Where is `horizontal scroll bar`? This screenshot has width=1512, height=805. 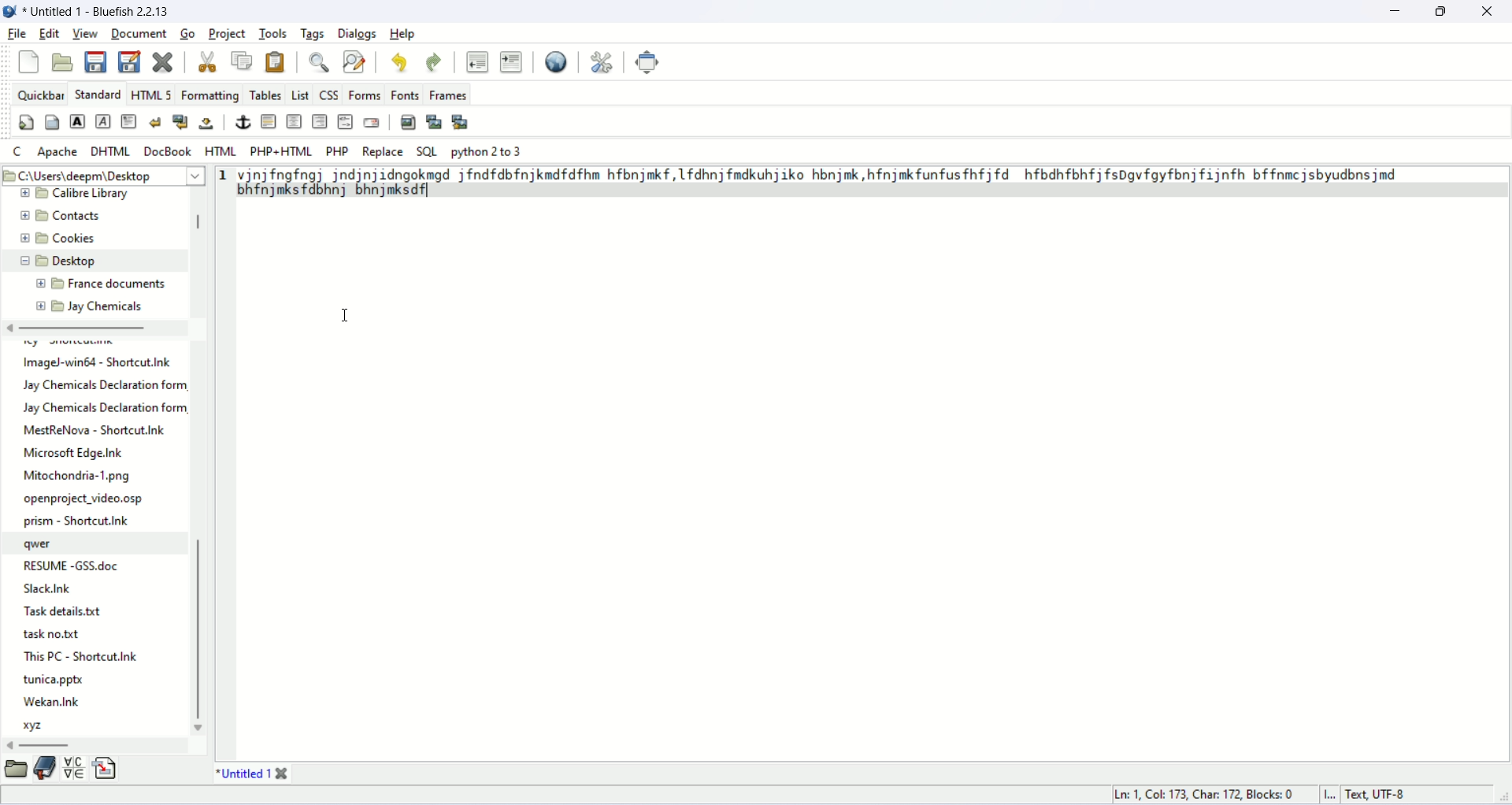 horizontal scroll bar is located at coordinates (48, 744).